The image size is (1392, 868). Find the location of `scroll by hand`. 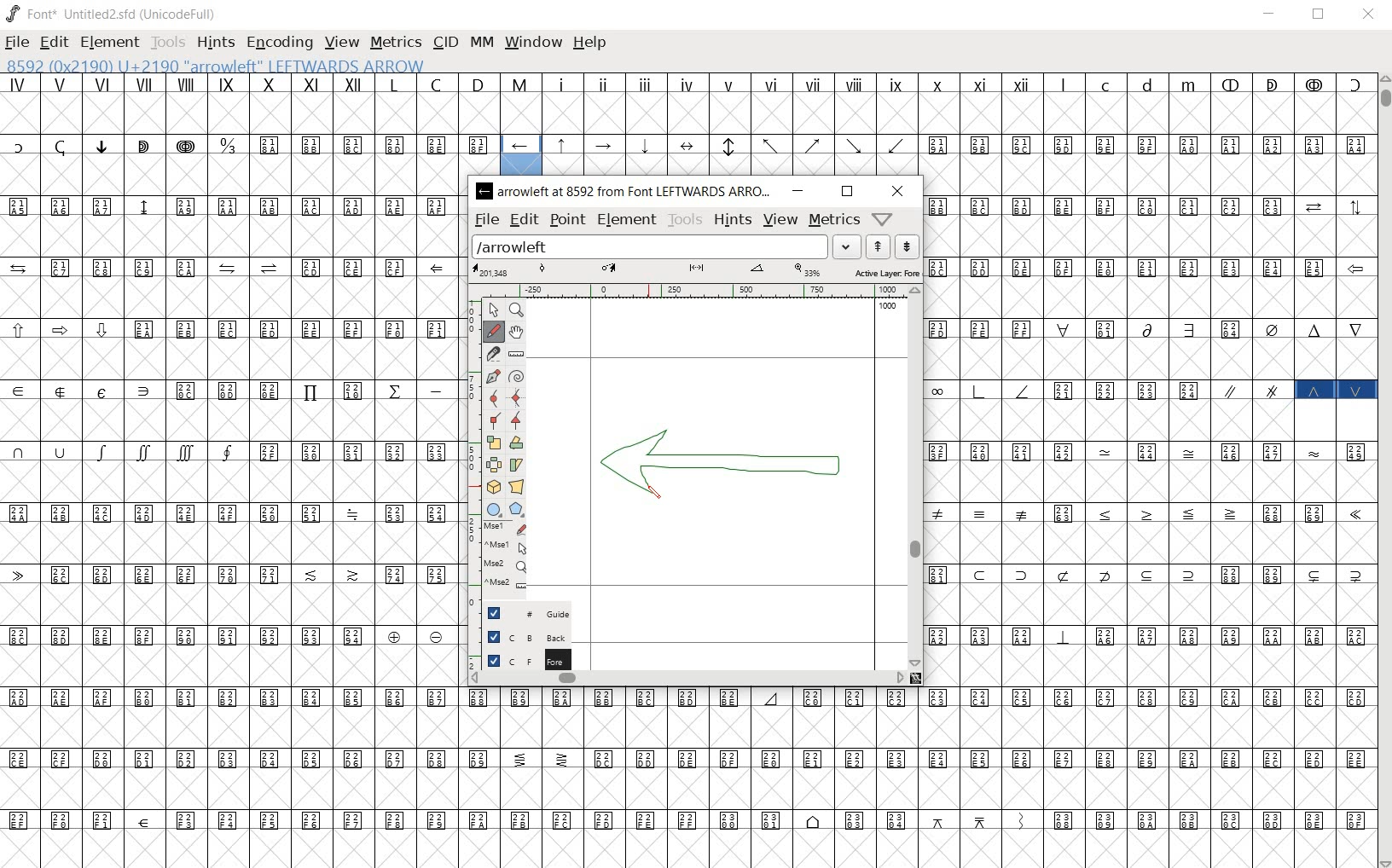

scroll by hand is located at coordinates (517, 333).